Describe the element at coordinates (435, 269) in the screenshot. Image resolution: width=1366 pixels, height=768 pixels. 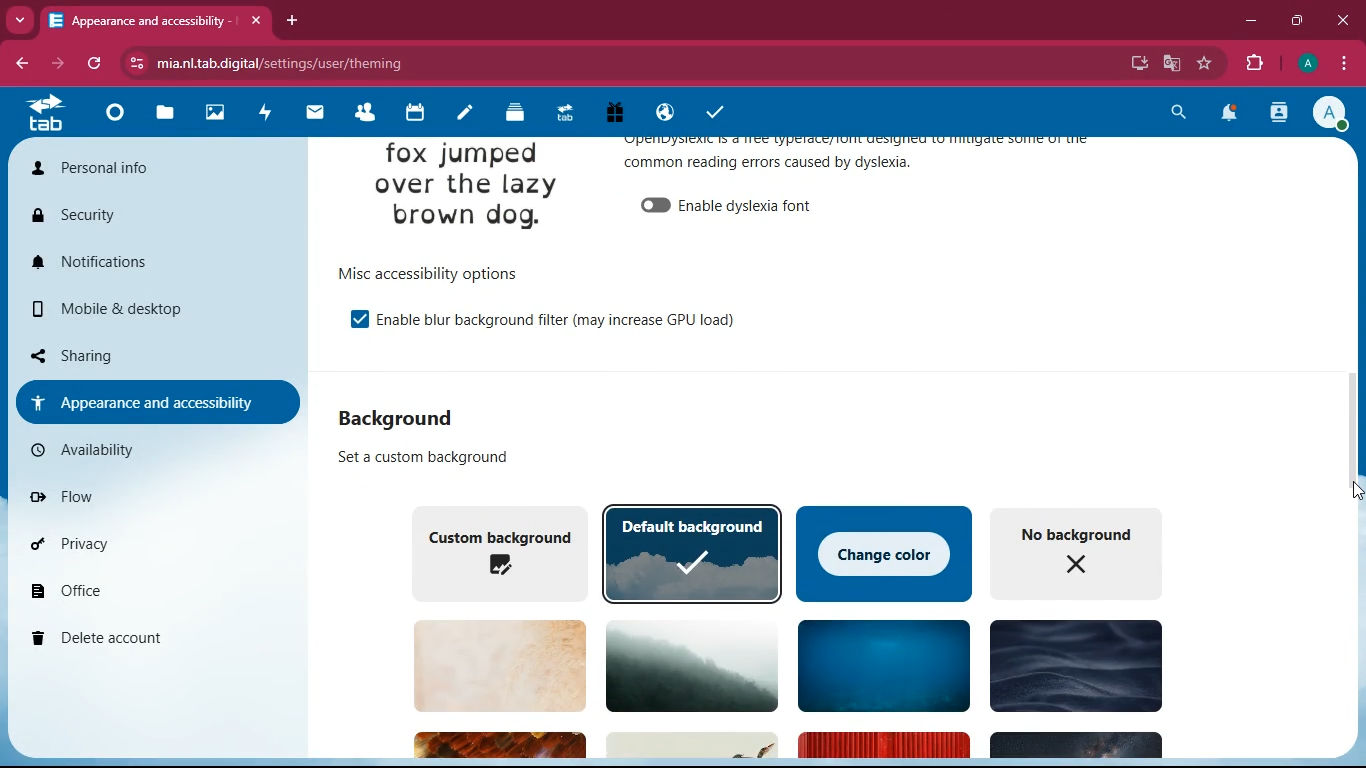
I see `options` at that location.